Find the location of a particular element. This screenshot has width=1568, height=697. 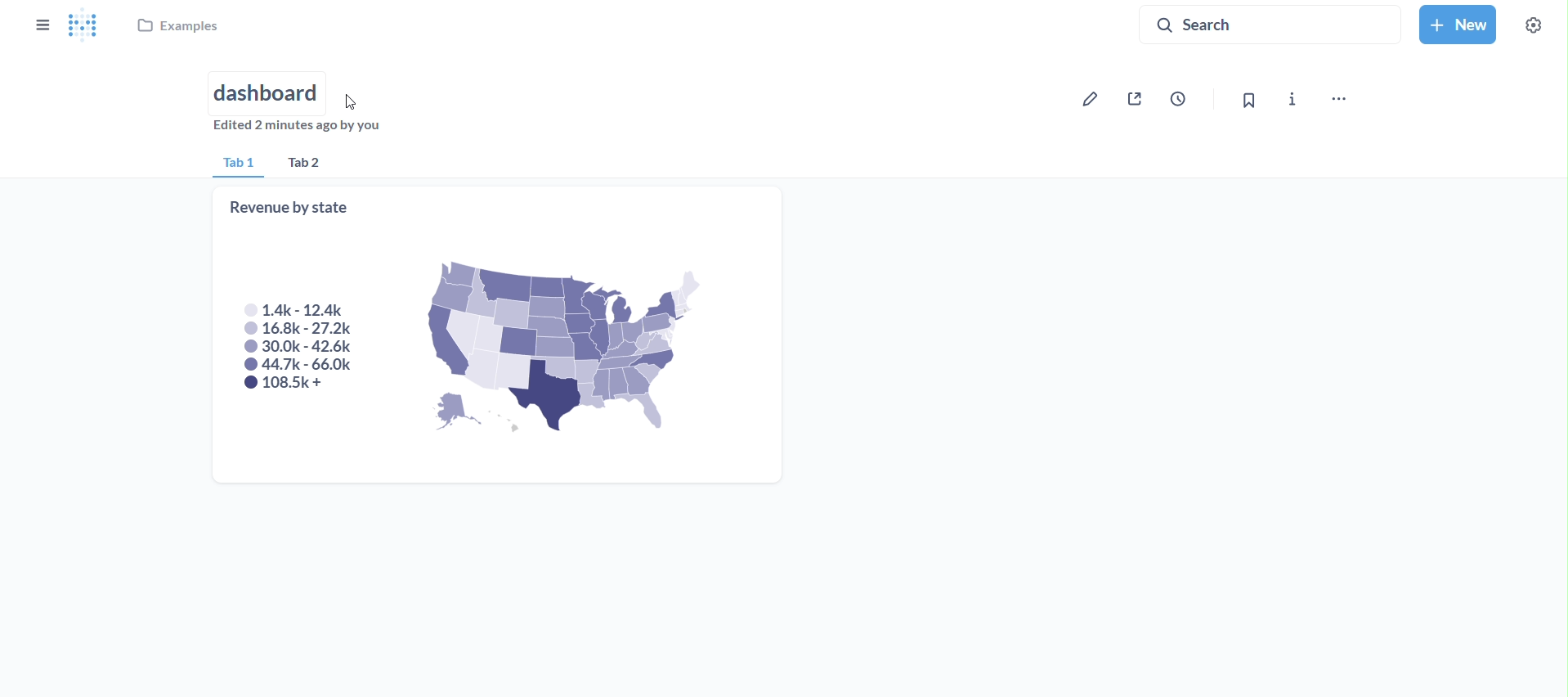

cursor is located at coordinates (354, 101).